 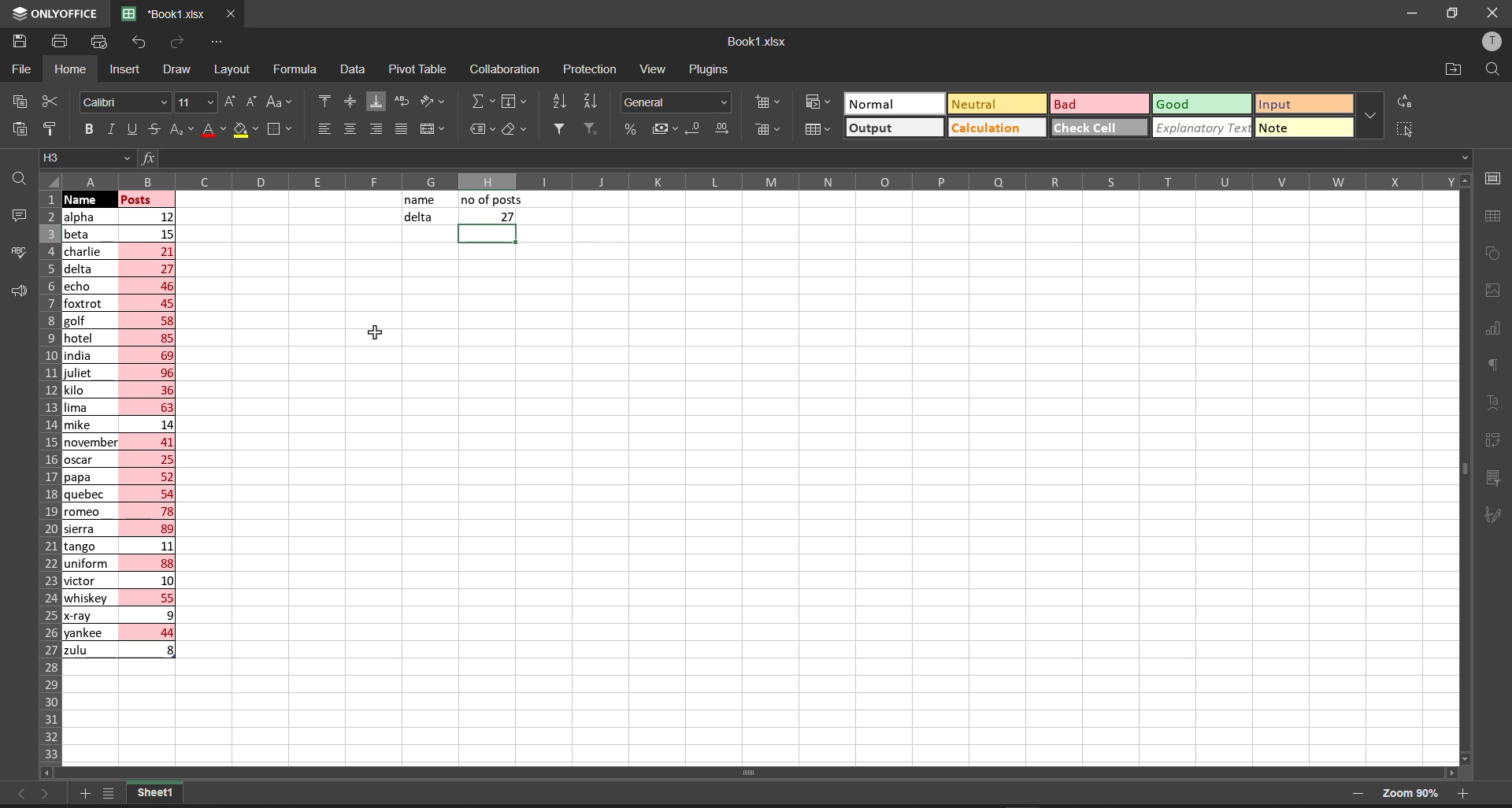 I want to click on calculation, so click(x=993, y=128).